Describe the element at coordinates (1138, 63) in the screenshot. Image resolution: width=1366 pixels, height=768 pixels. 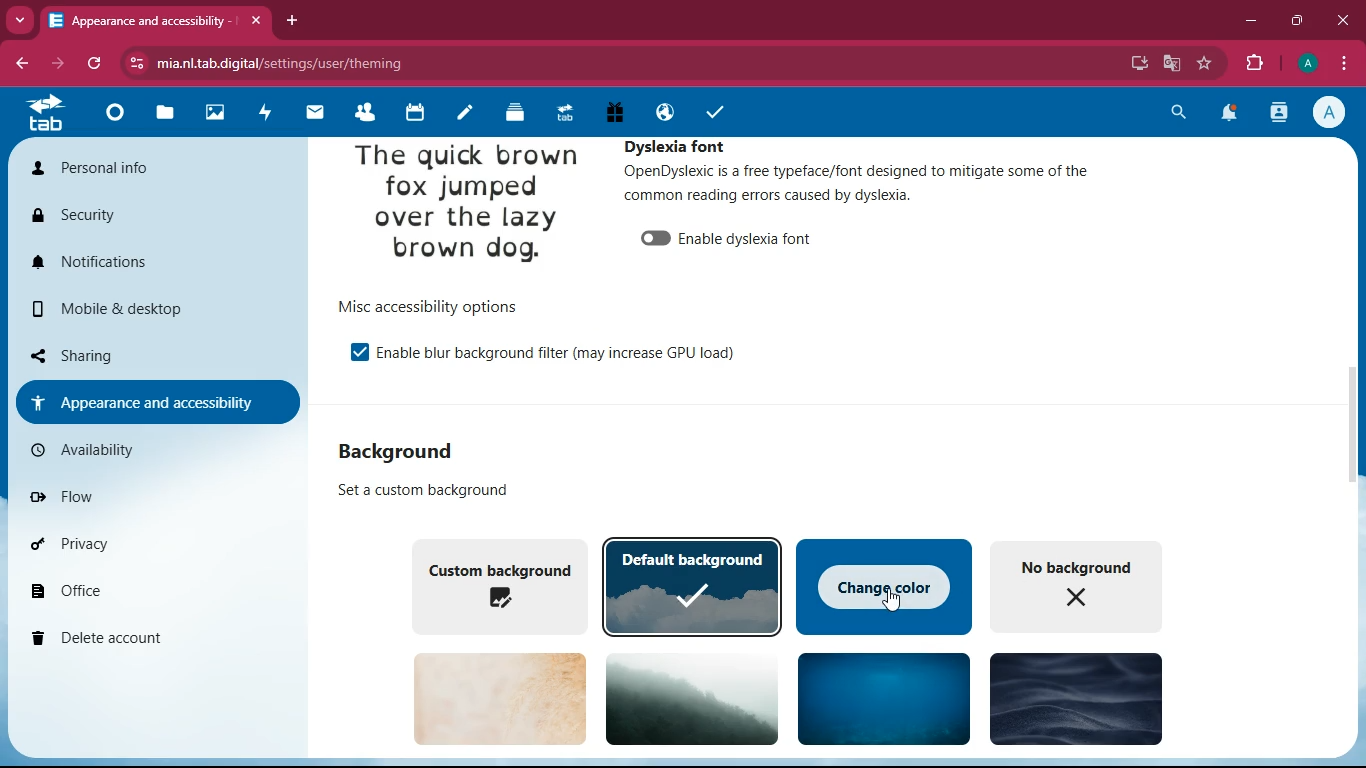
I see `desktop` at that location.